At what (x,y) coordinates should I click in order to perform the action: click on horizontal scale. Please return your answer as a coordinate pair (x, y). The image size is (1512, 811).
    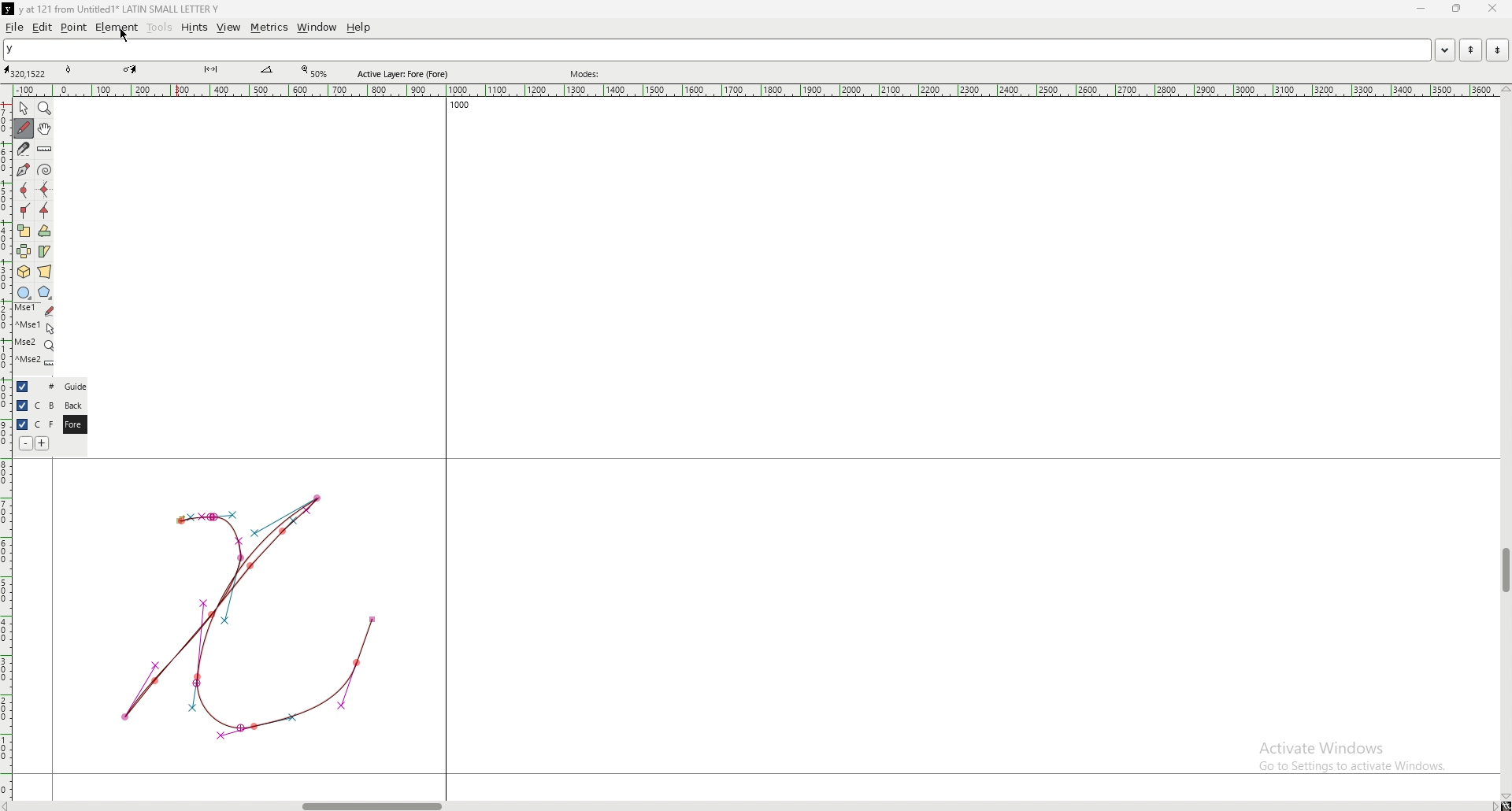
    Looking at the image, I should click on (756, 91).